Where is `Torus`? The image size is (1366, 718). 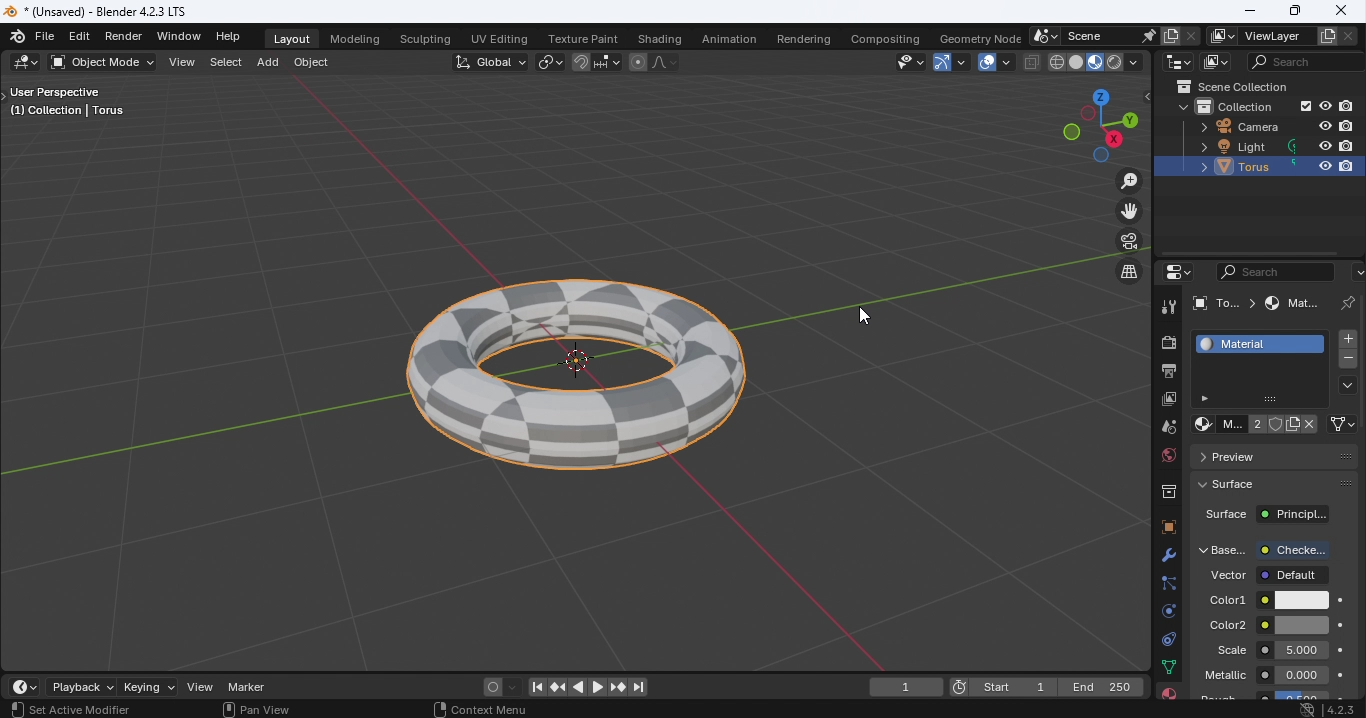
Torus is located at coordinates (577, 363).